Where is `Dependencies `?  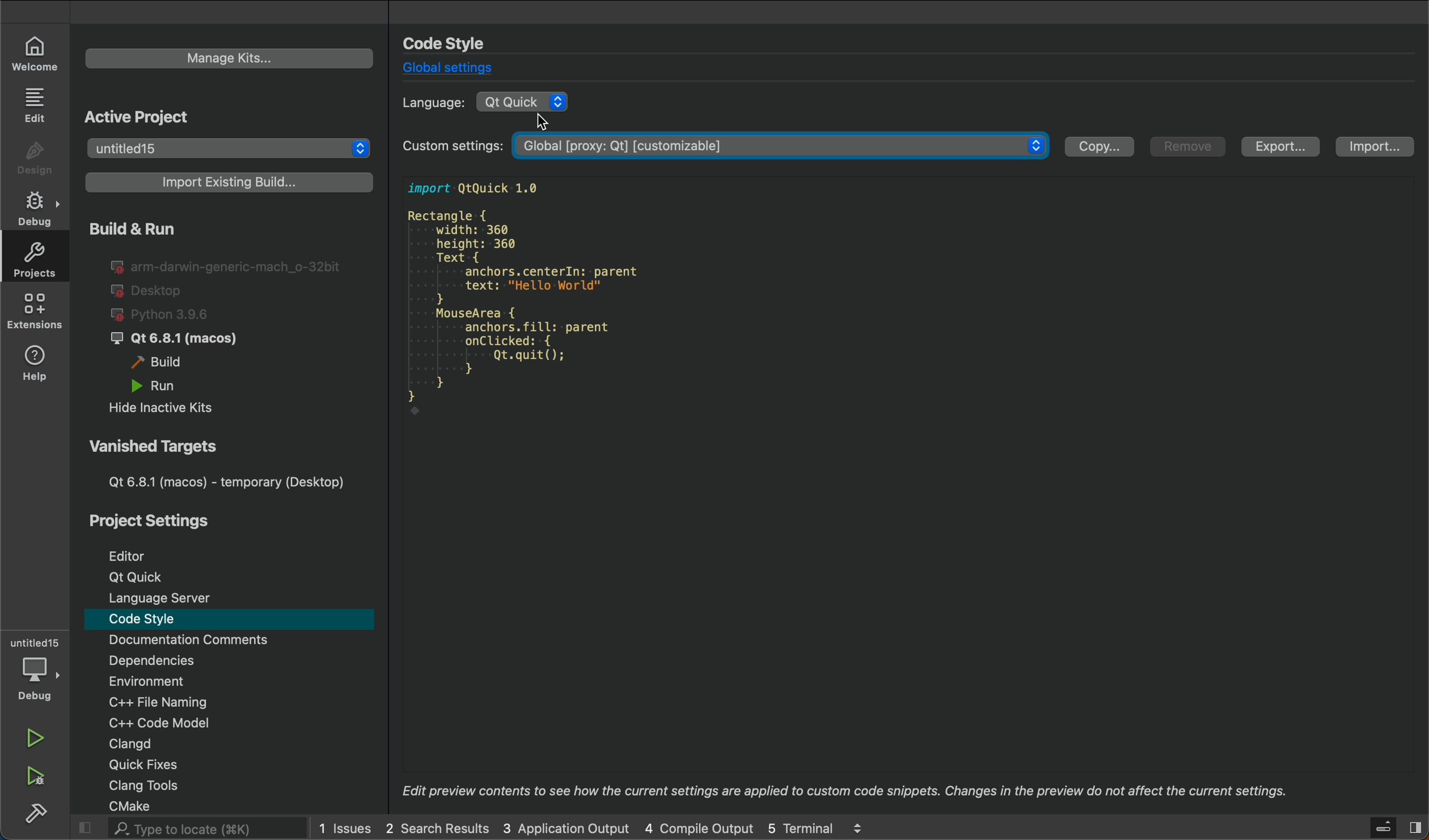
Dependencies  is located at coordinates (176, 661).